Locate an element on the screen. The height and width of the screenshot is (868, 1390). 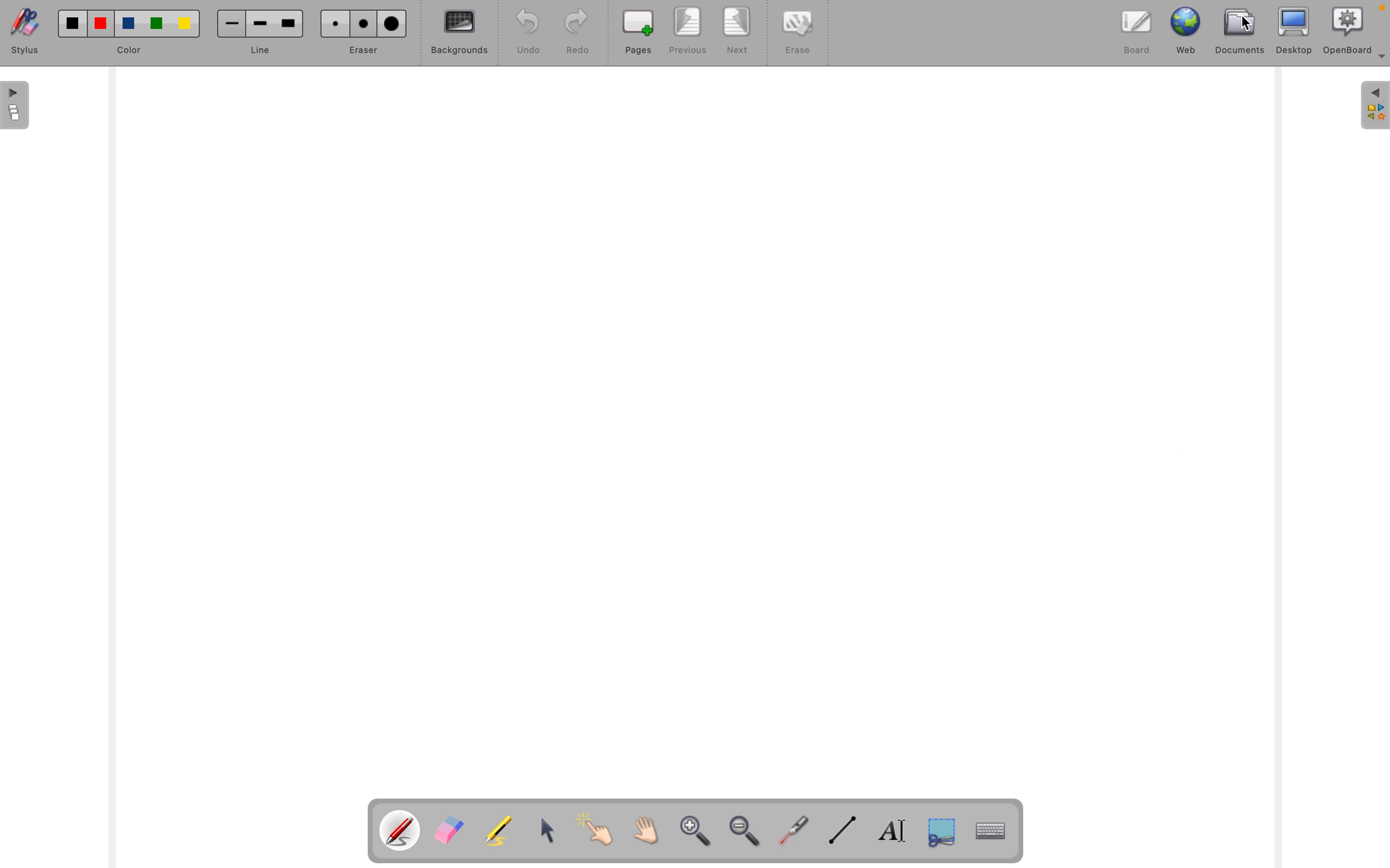
line is located at coordinates (258, 34).